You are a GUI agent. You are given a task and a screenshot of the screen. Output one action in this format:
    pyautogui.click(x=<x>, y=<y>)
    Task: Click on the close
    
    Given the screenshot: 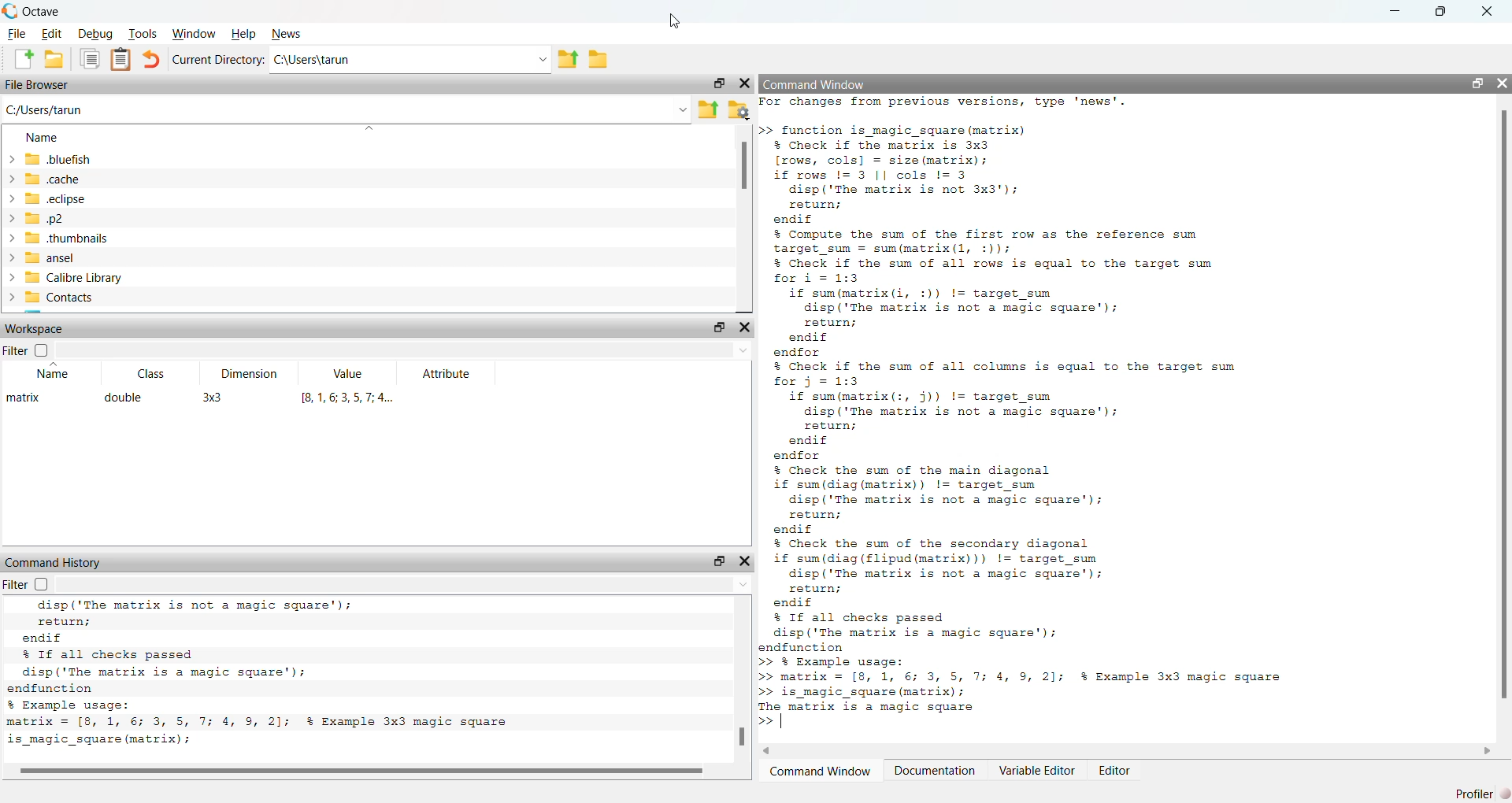 What is the action you would take?
    pyautogui.click(x=1503, y=83)
    